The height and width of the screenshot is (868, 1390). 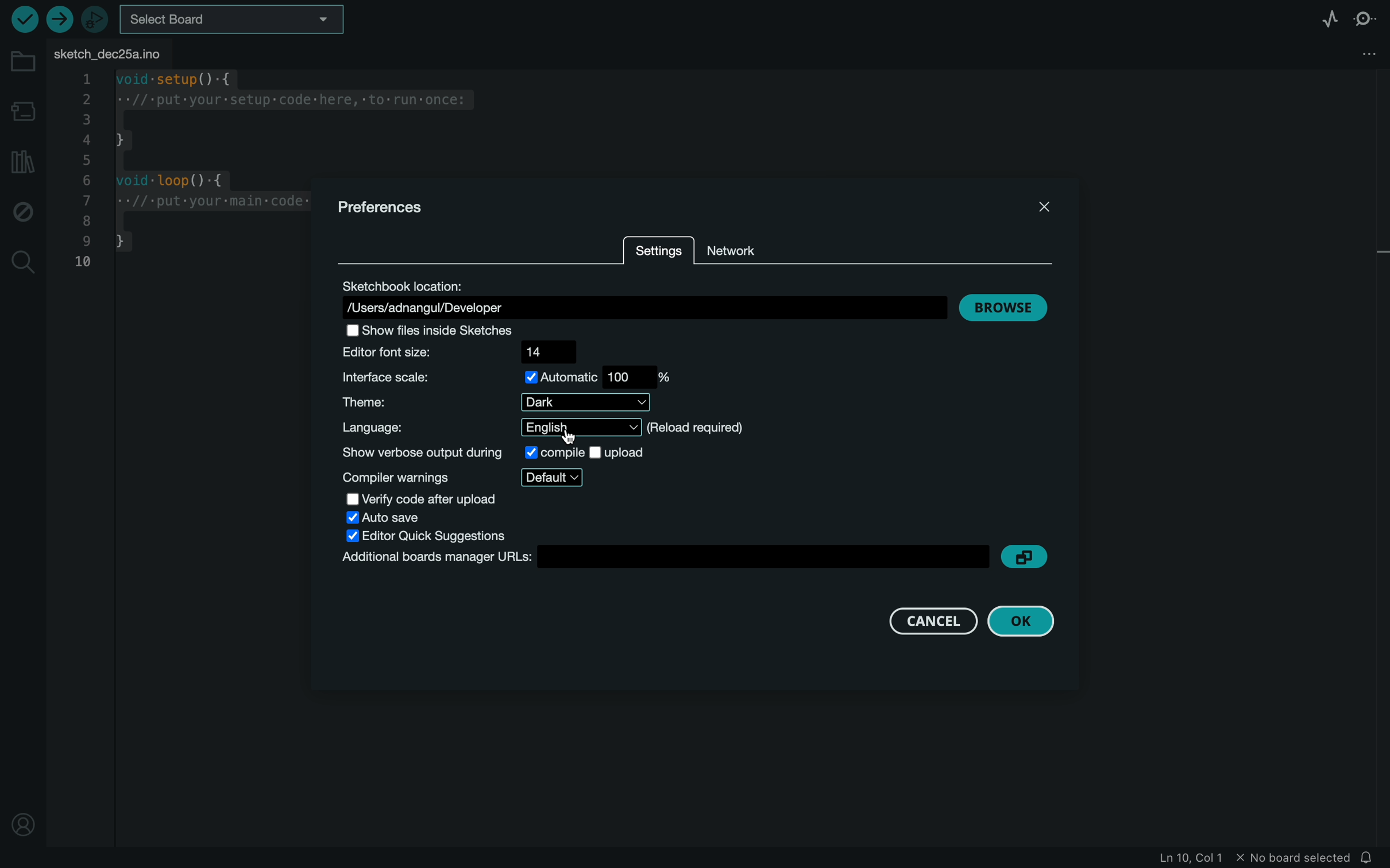 I want to click on editor  font  size, so click(x=457, y=352).